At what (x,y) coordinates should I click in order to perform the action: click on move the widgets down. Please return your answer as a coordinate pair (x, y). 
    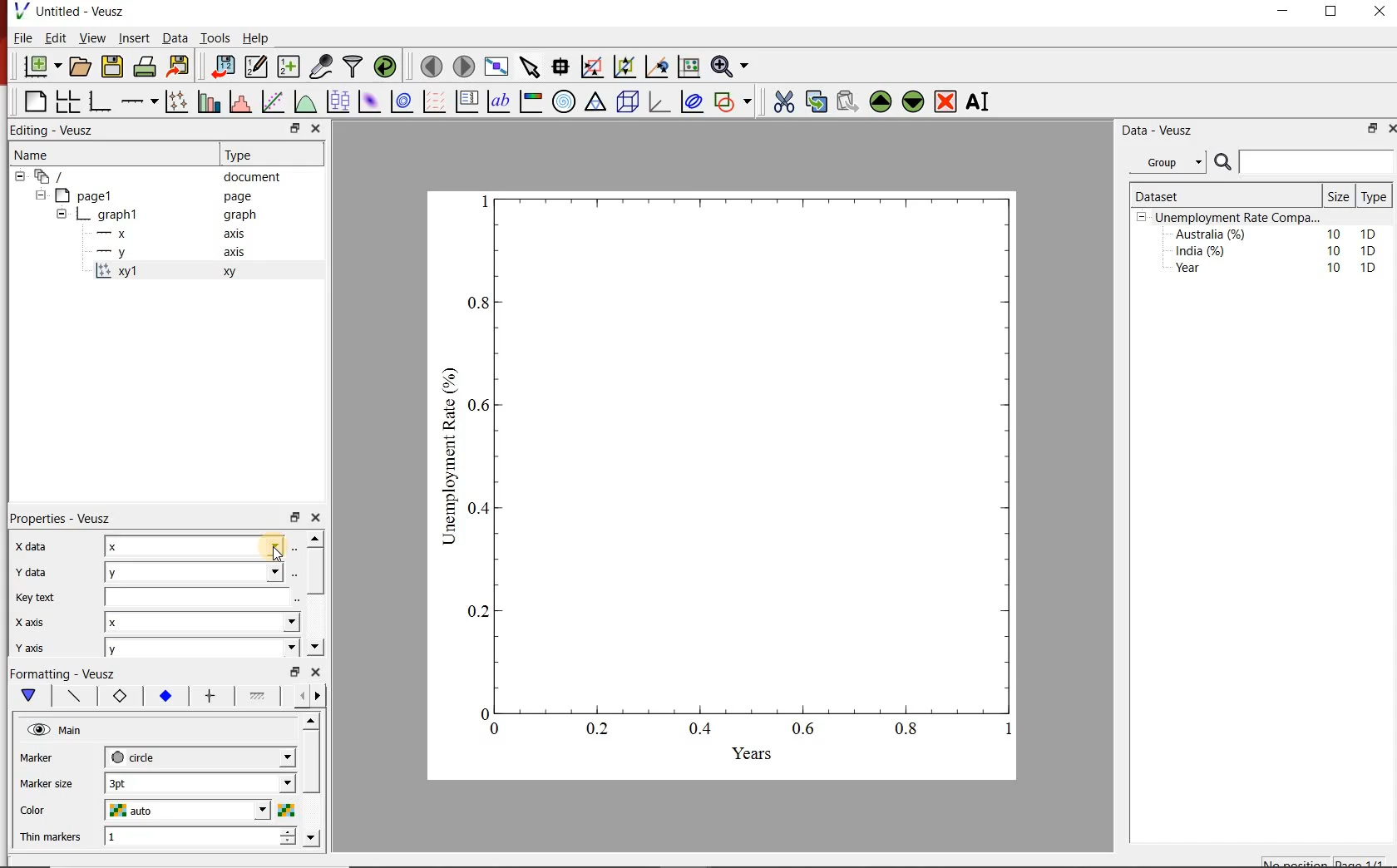
    Looking at the image, I should click on (911, 101).